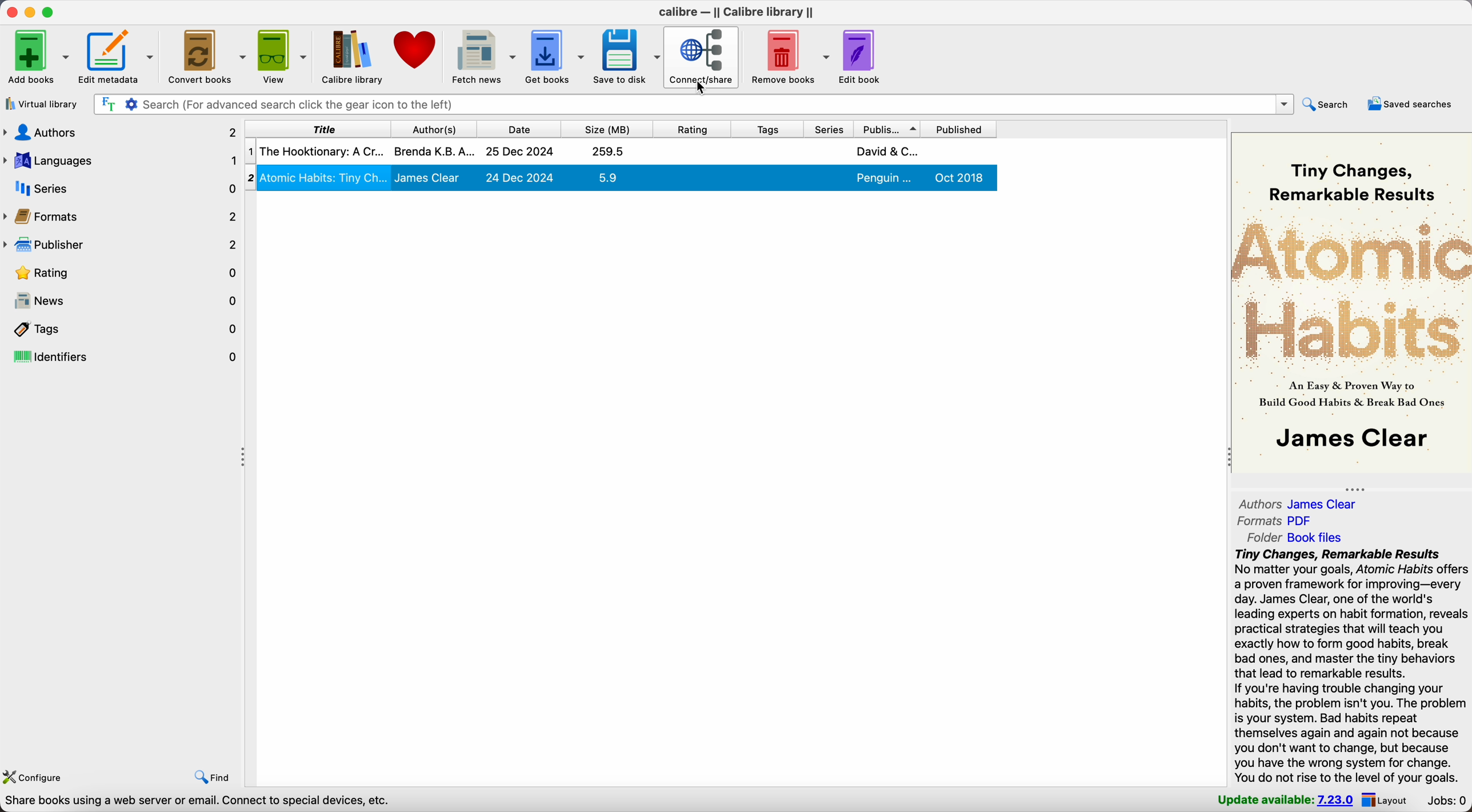  I want to click on Oct 2018, so click(961, 177).